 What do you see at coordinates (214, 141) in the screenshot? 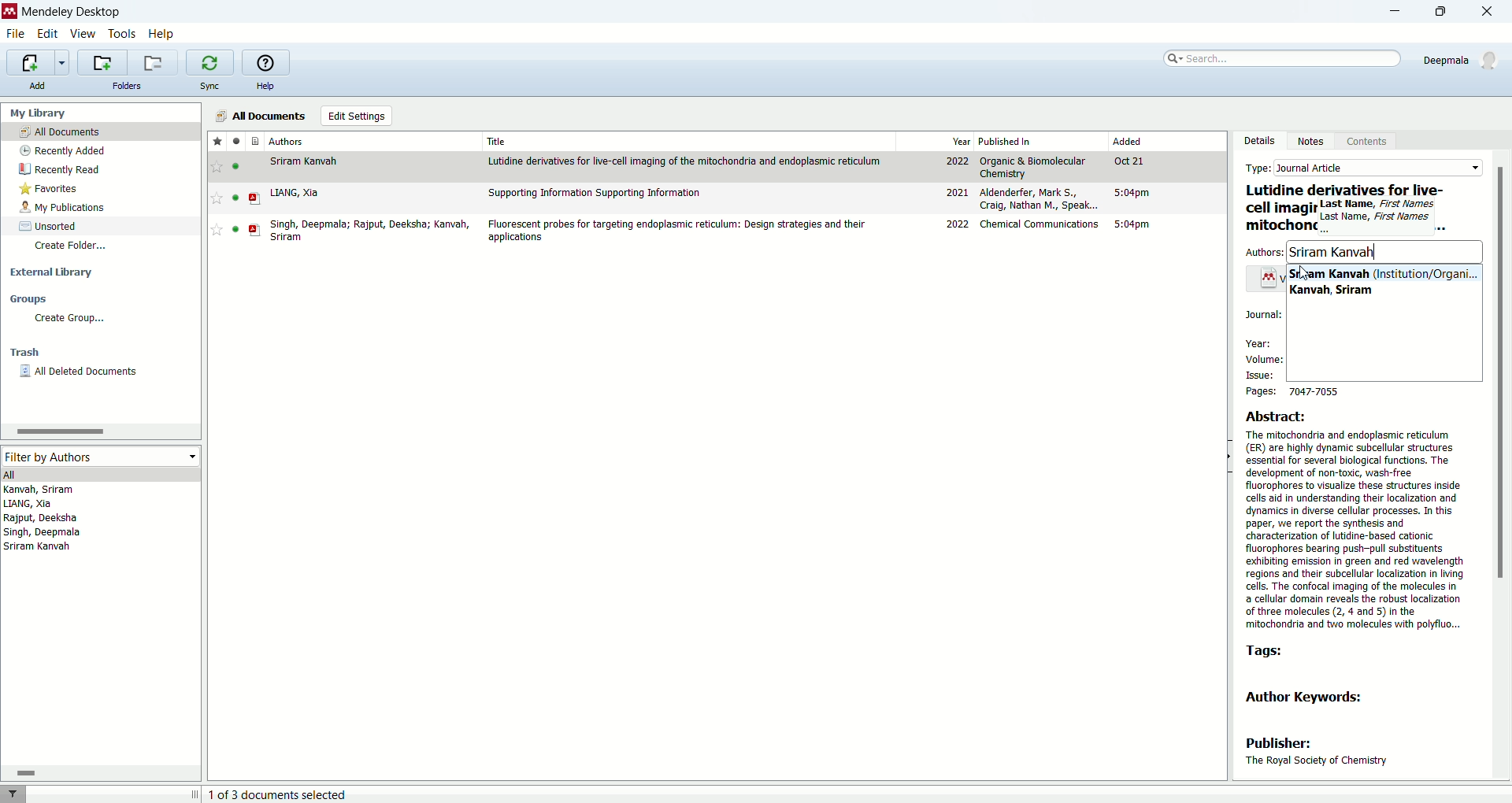
I see `favorite` at bounding box center [214, 141].